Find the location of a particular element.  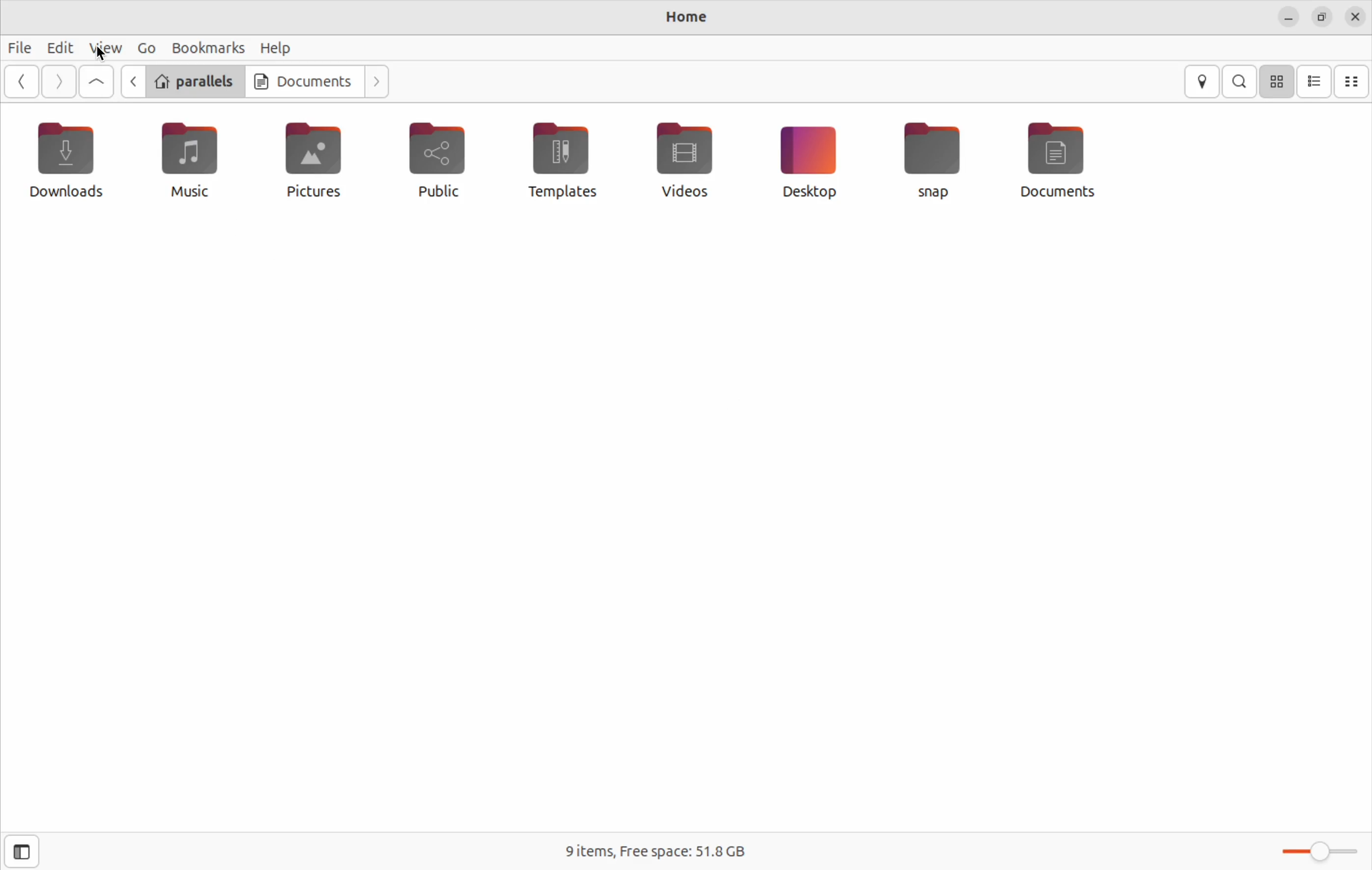

Downloads is located at coordinates (70, 162).